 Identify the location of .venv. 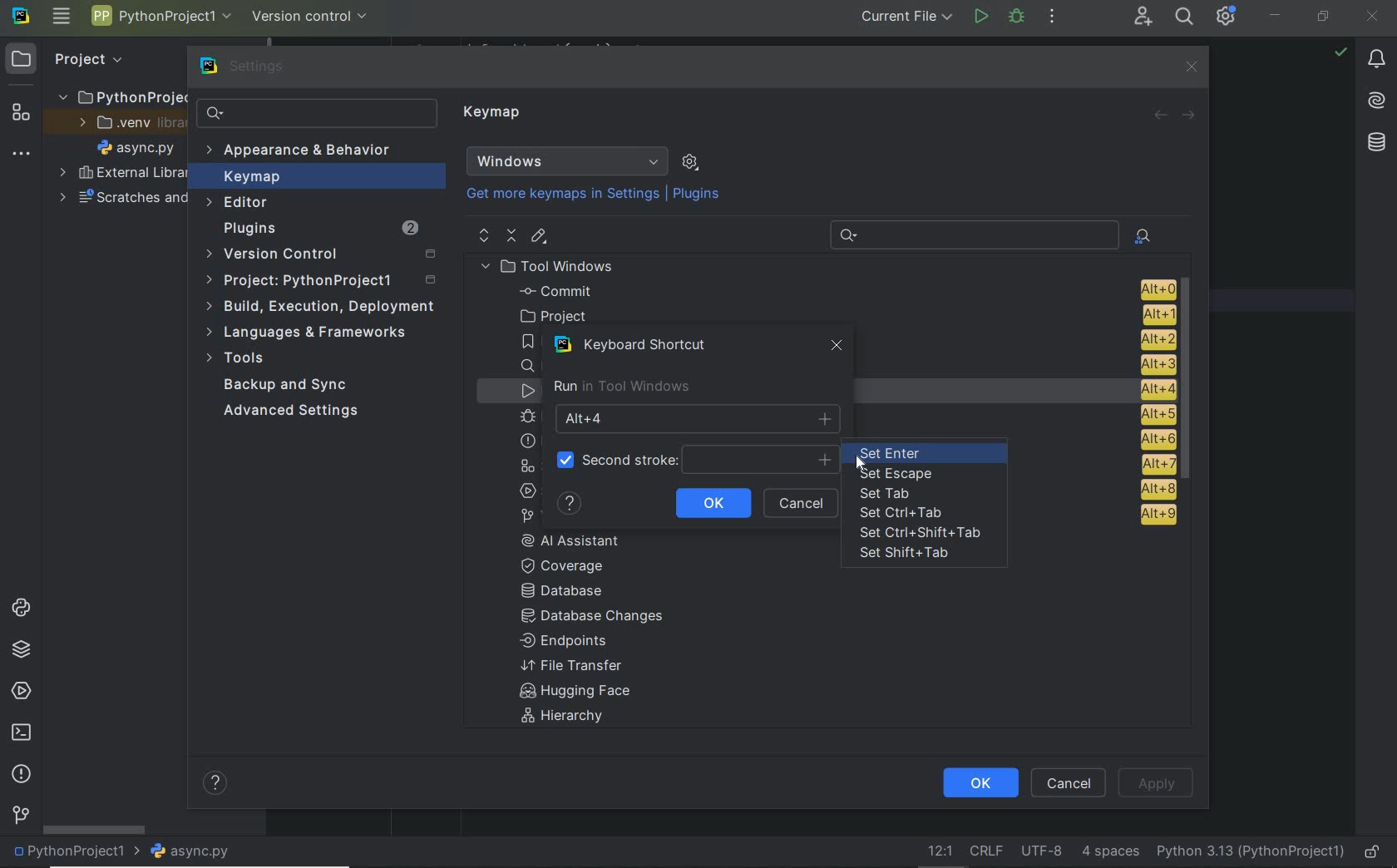
(124, 123).